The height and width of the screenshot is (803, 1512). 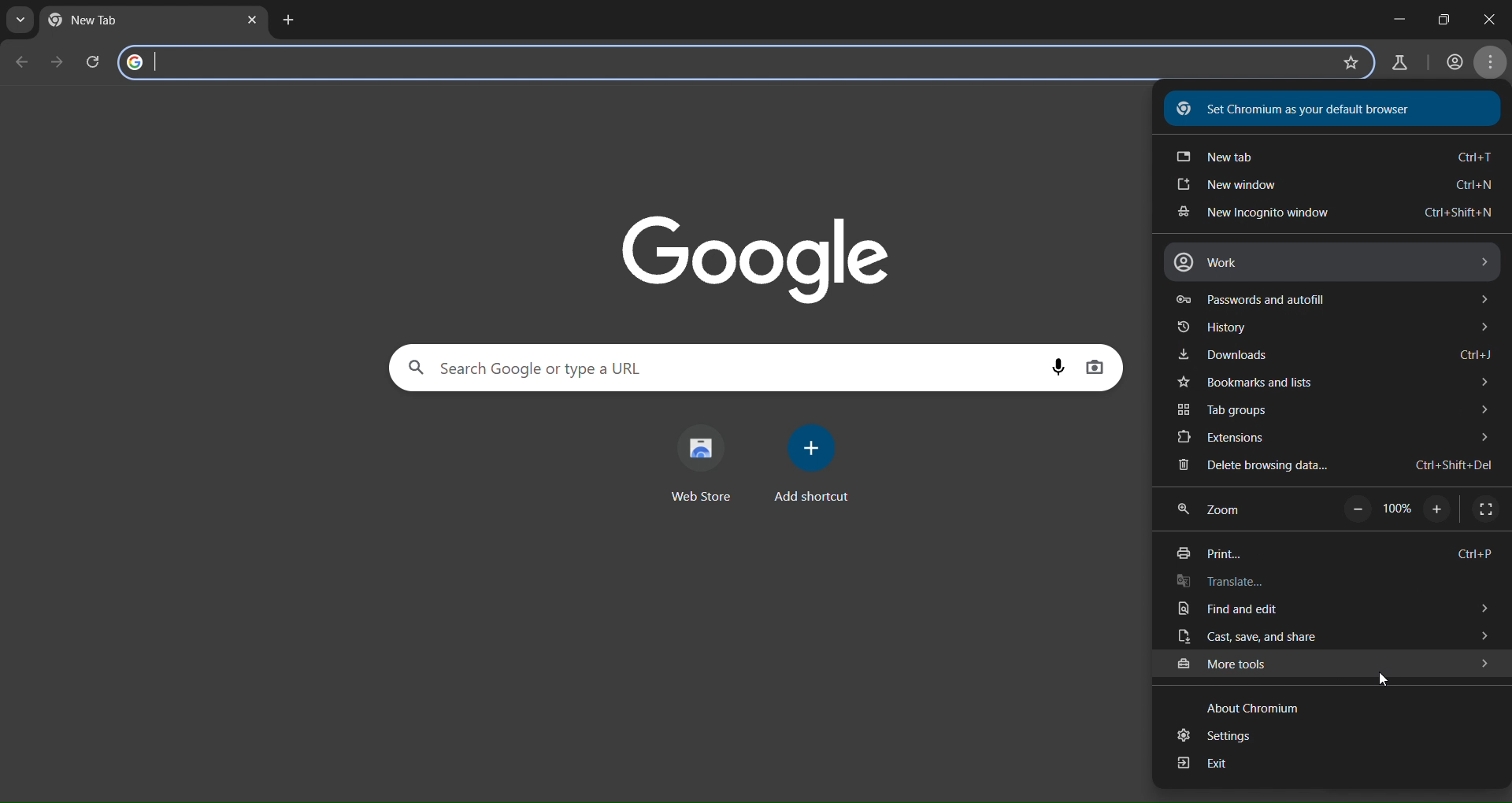 What do you see at coordinates (22, 61) in the screenshot?
I see `go back one page` at bounding box center [22, 61].